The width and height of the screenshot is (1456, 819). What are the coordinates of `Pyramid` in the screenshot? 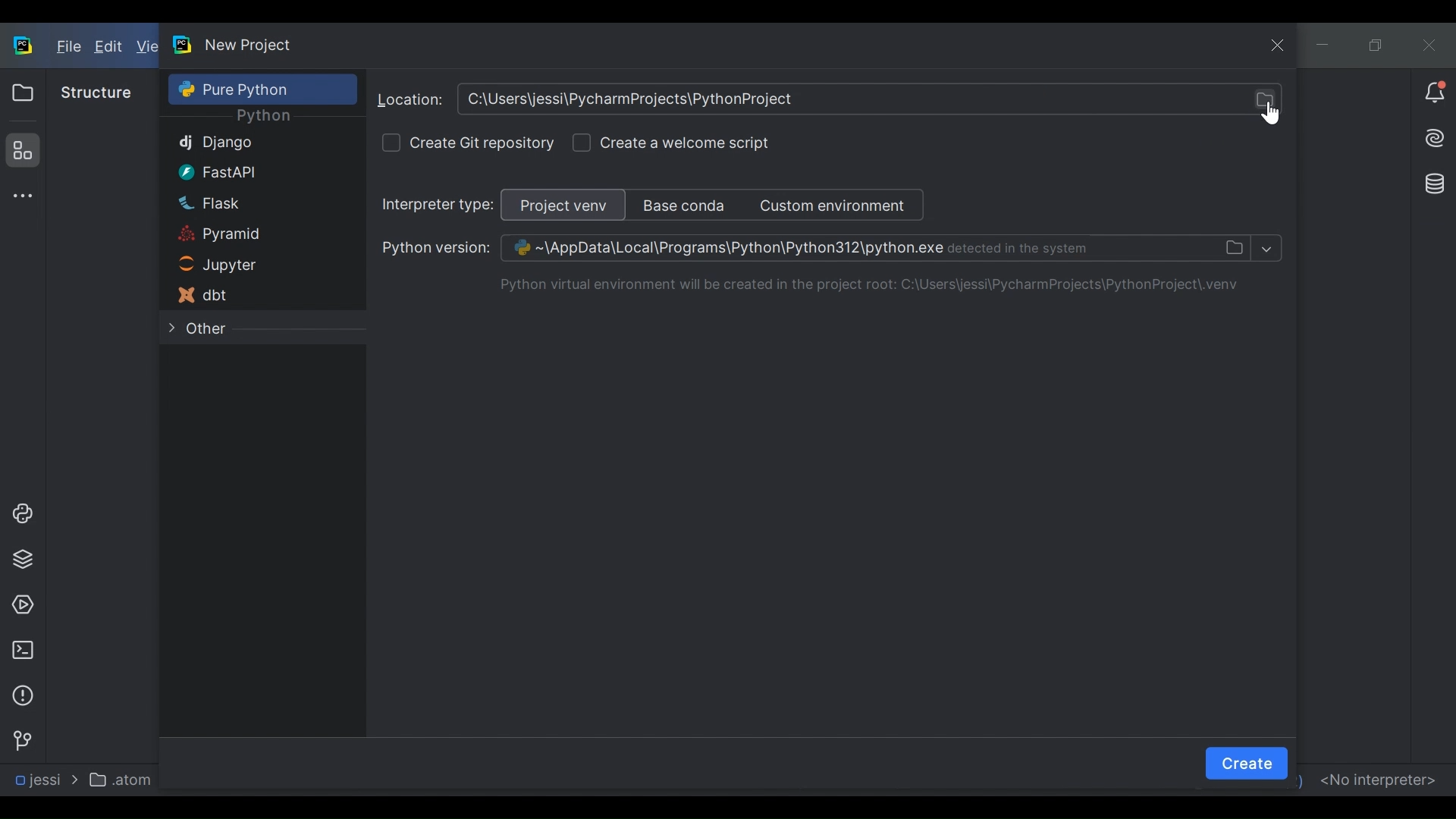 It's located at (246, 235).